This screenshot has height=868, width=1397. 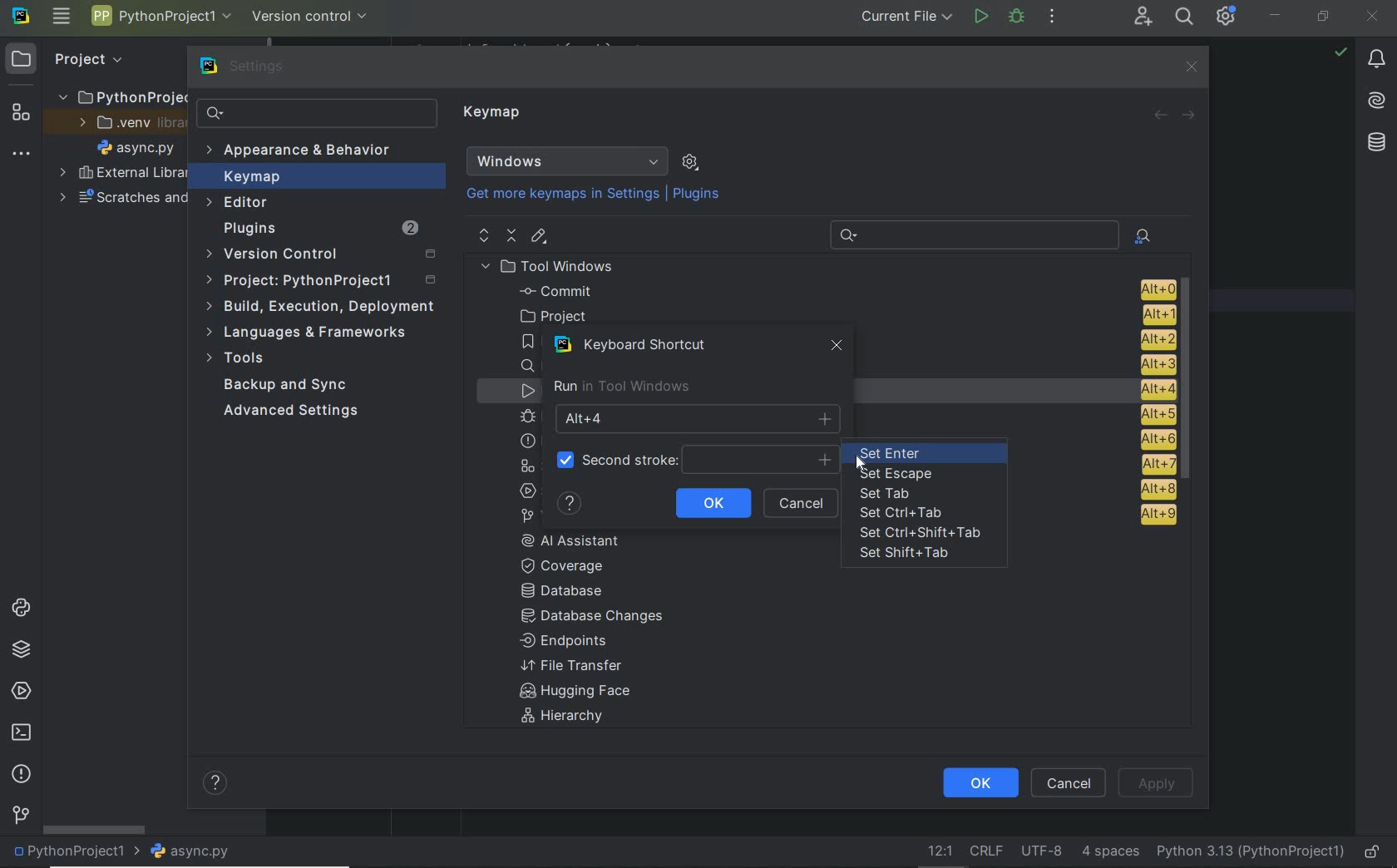 I want to click on search settings, so click(x=317, y=113).